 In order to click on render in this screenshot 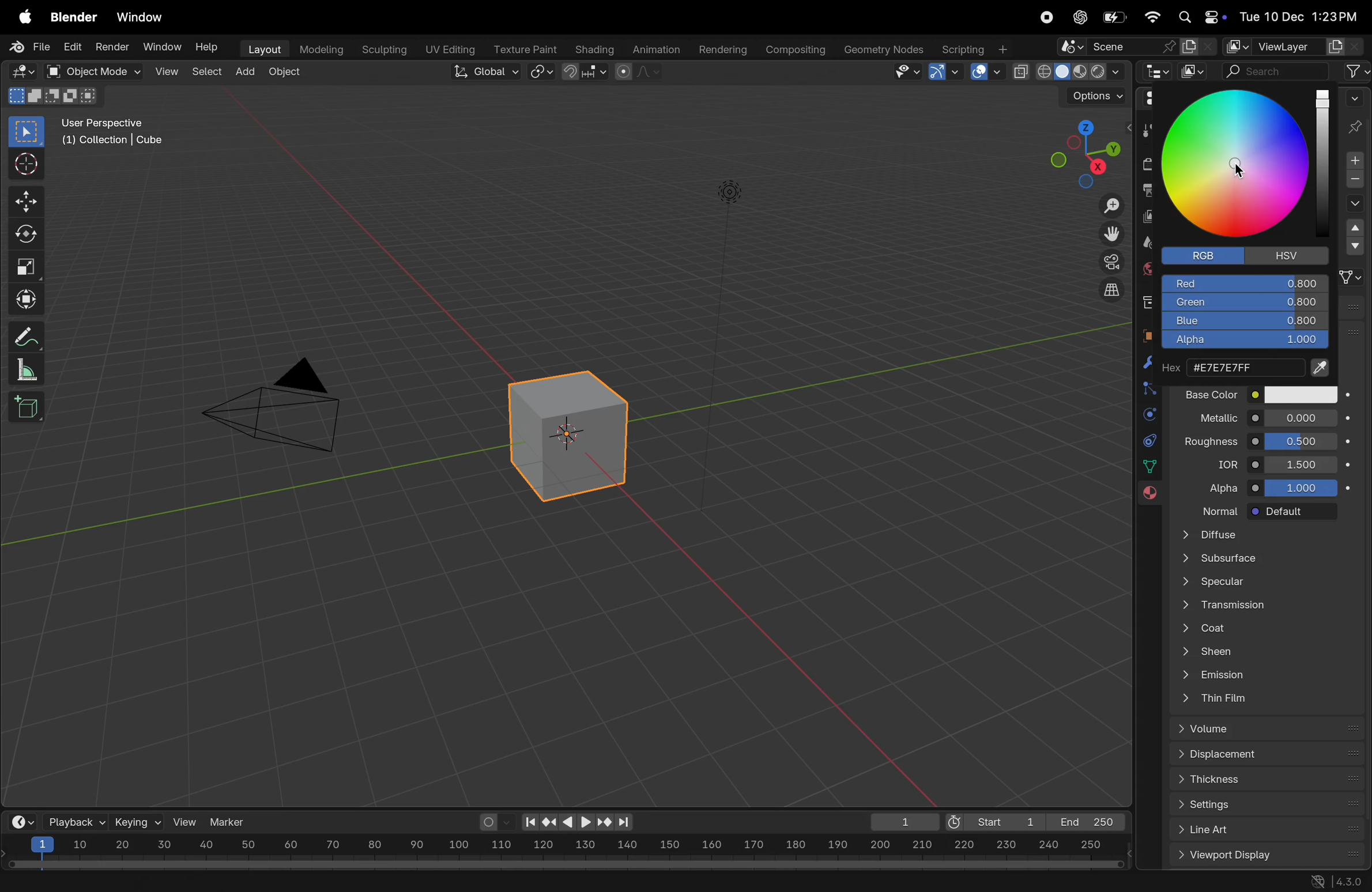, I will do `click(1148, 164)`.